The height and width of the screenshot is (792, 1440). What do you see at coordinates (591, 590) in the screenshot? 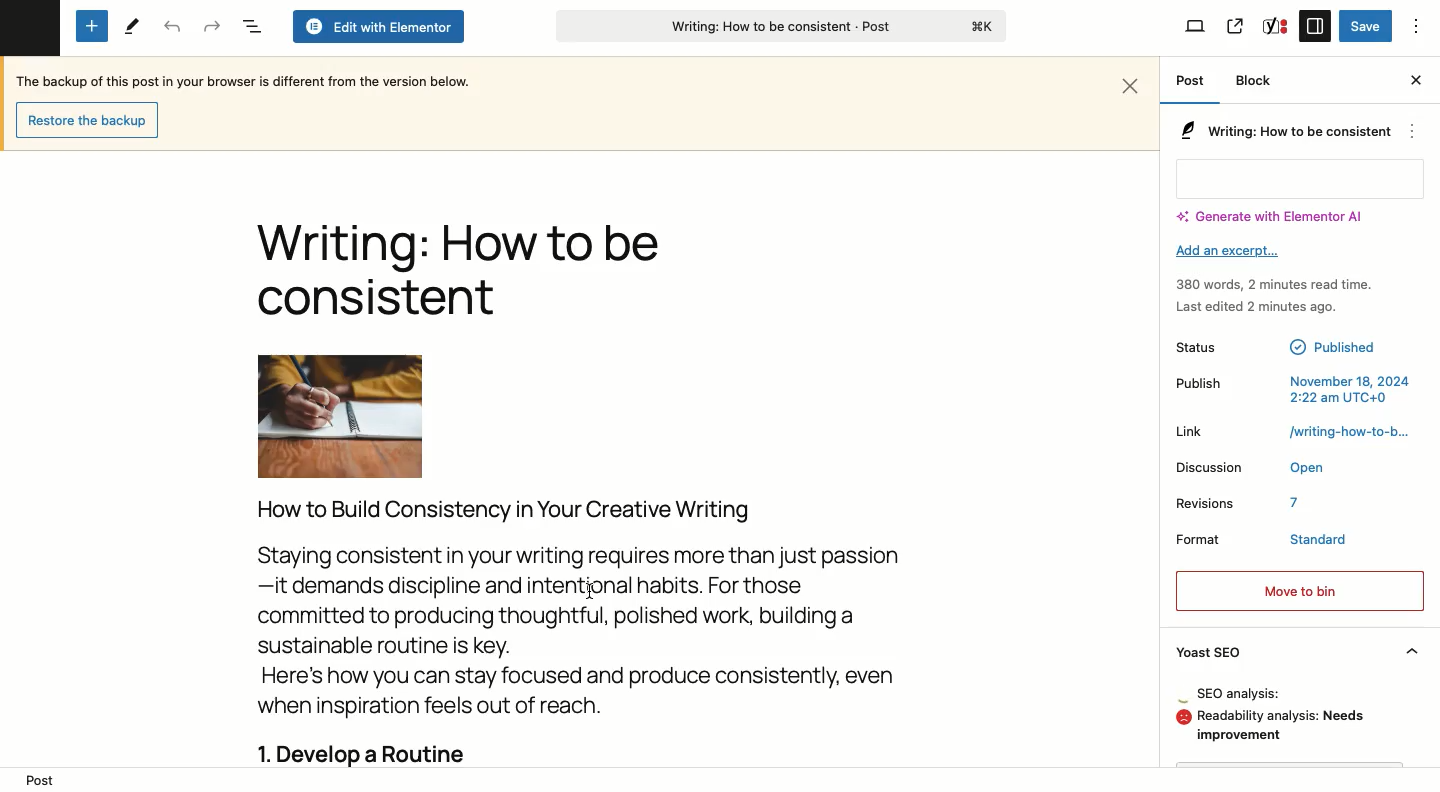
I see `Cursor` at bounding box center [591, 590].